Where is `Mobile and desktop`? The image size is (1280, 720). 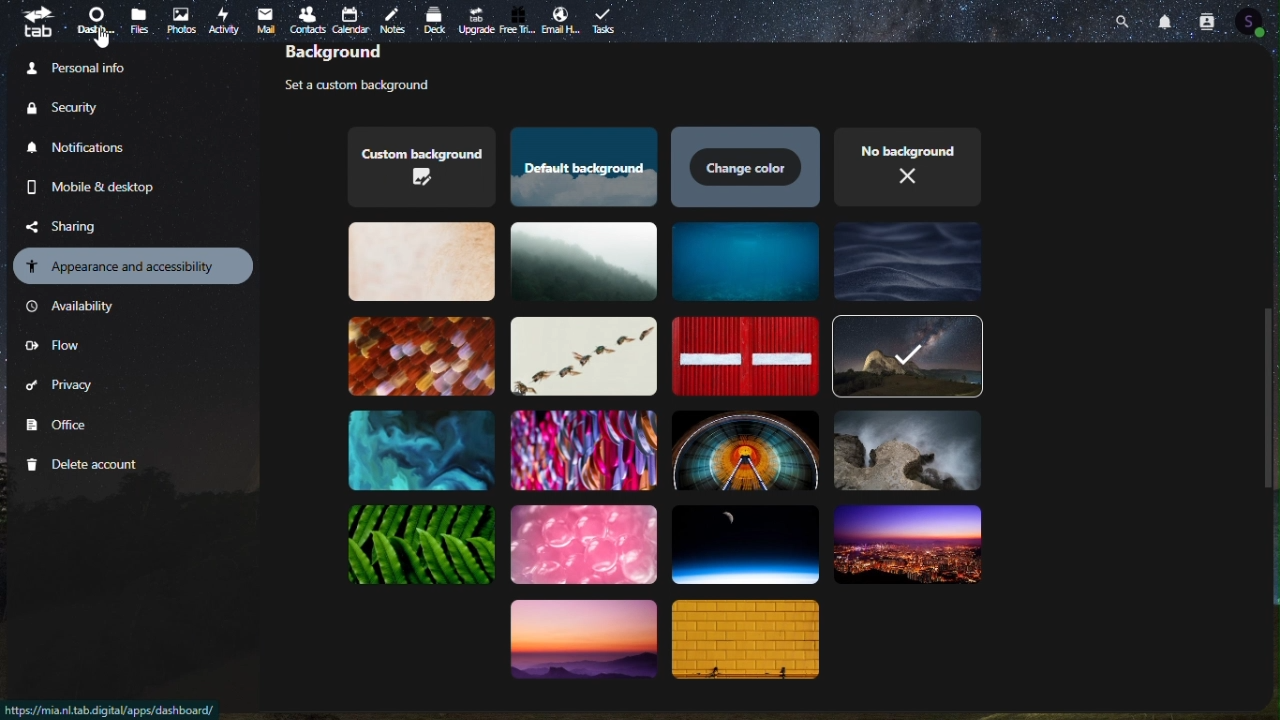 Mobile and desktop is located at coordinates (107, 187).